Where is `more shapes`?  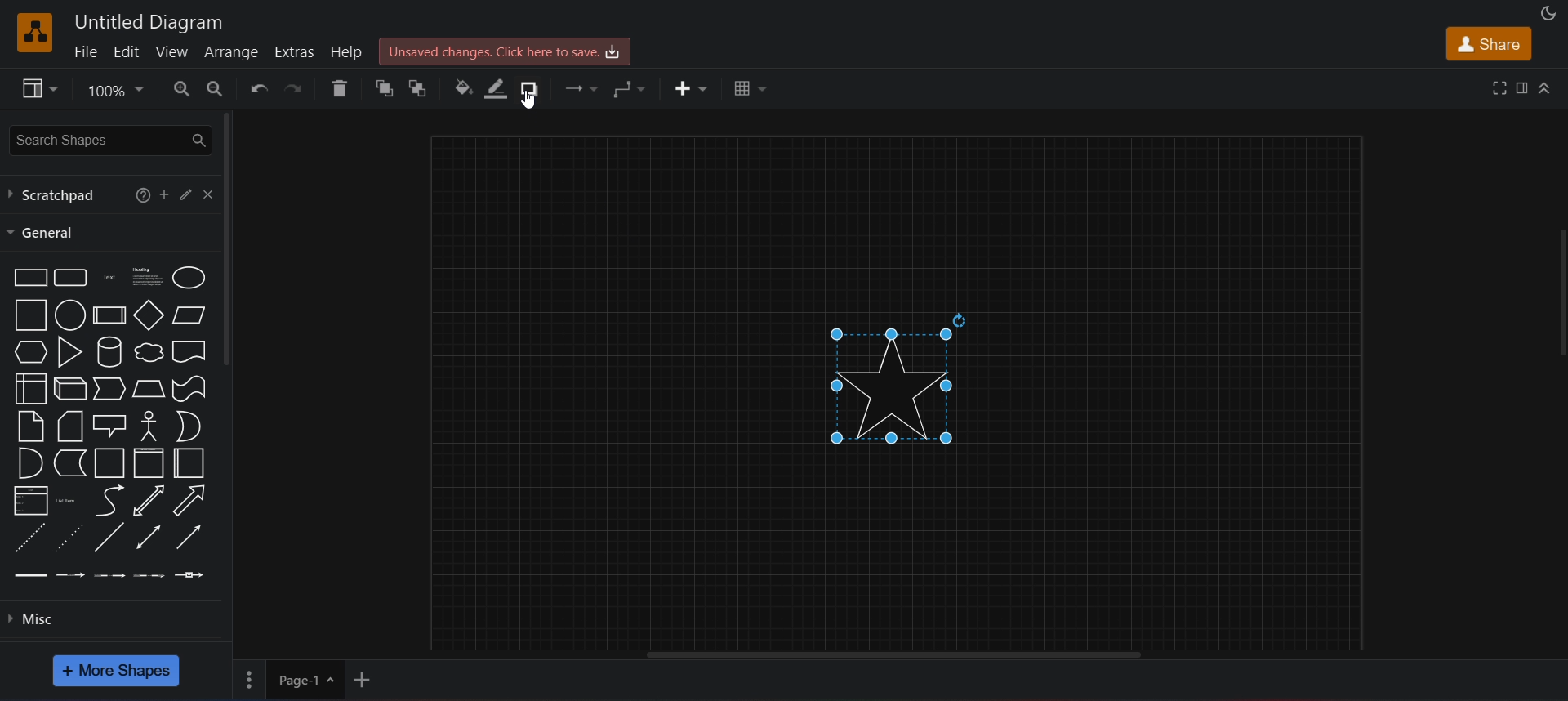 more shapes is located at coordinates (118, 671).